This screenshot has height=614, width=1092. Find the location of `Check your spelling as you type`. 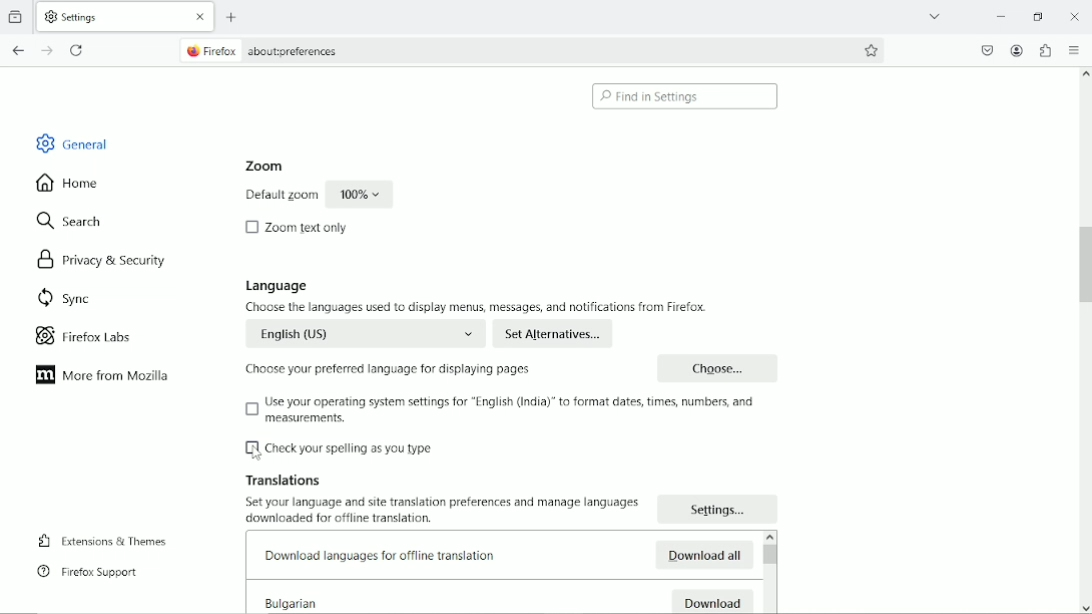

Check your spelling as you type is located at coordinates (339, 449).